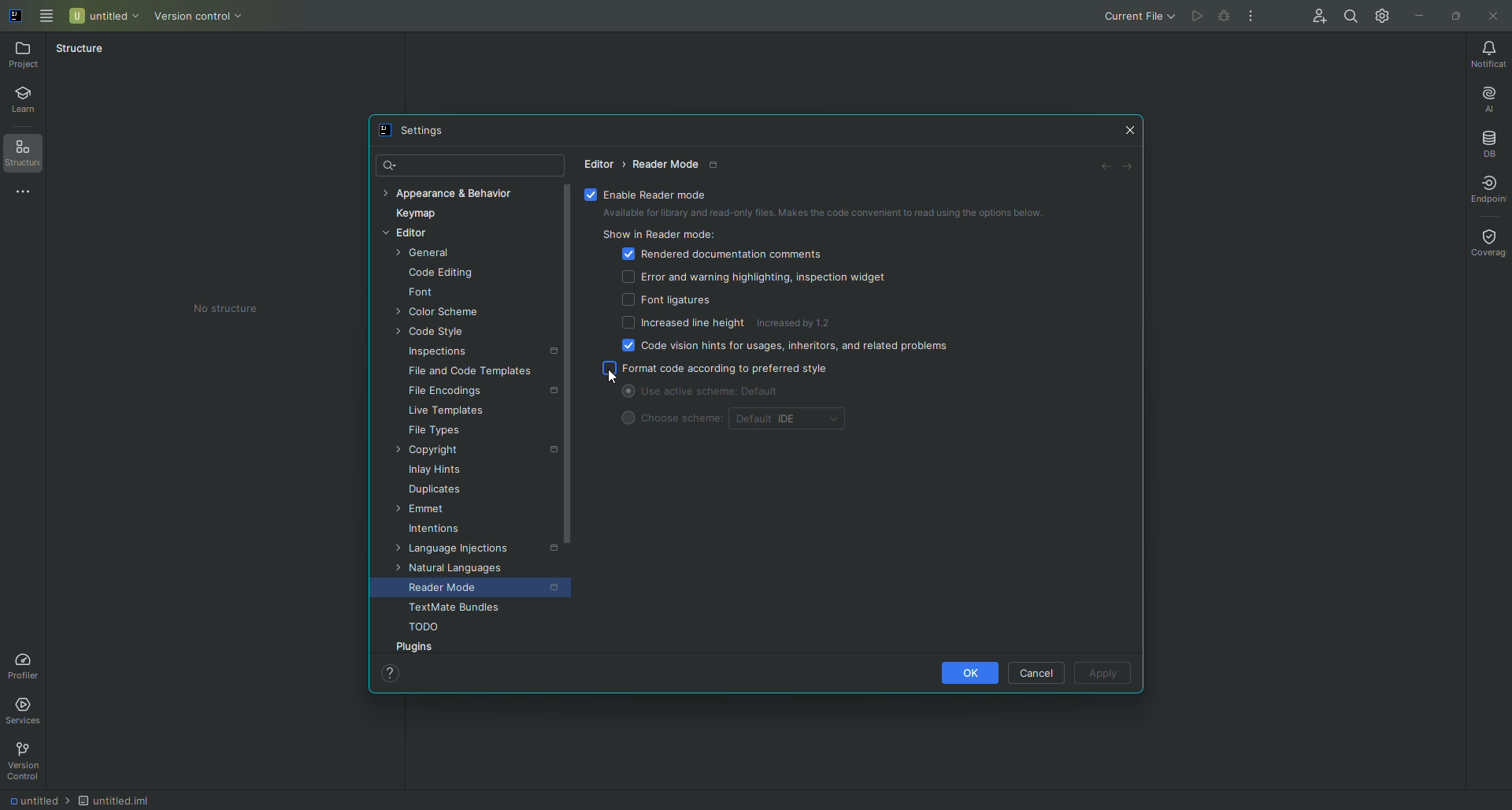  What do you see at coordinates (26, 152) in the screenshot?
I see `Structure` at bounding box center [26, 152].